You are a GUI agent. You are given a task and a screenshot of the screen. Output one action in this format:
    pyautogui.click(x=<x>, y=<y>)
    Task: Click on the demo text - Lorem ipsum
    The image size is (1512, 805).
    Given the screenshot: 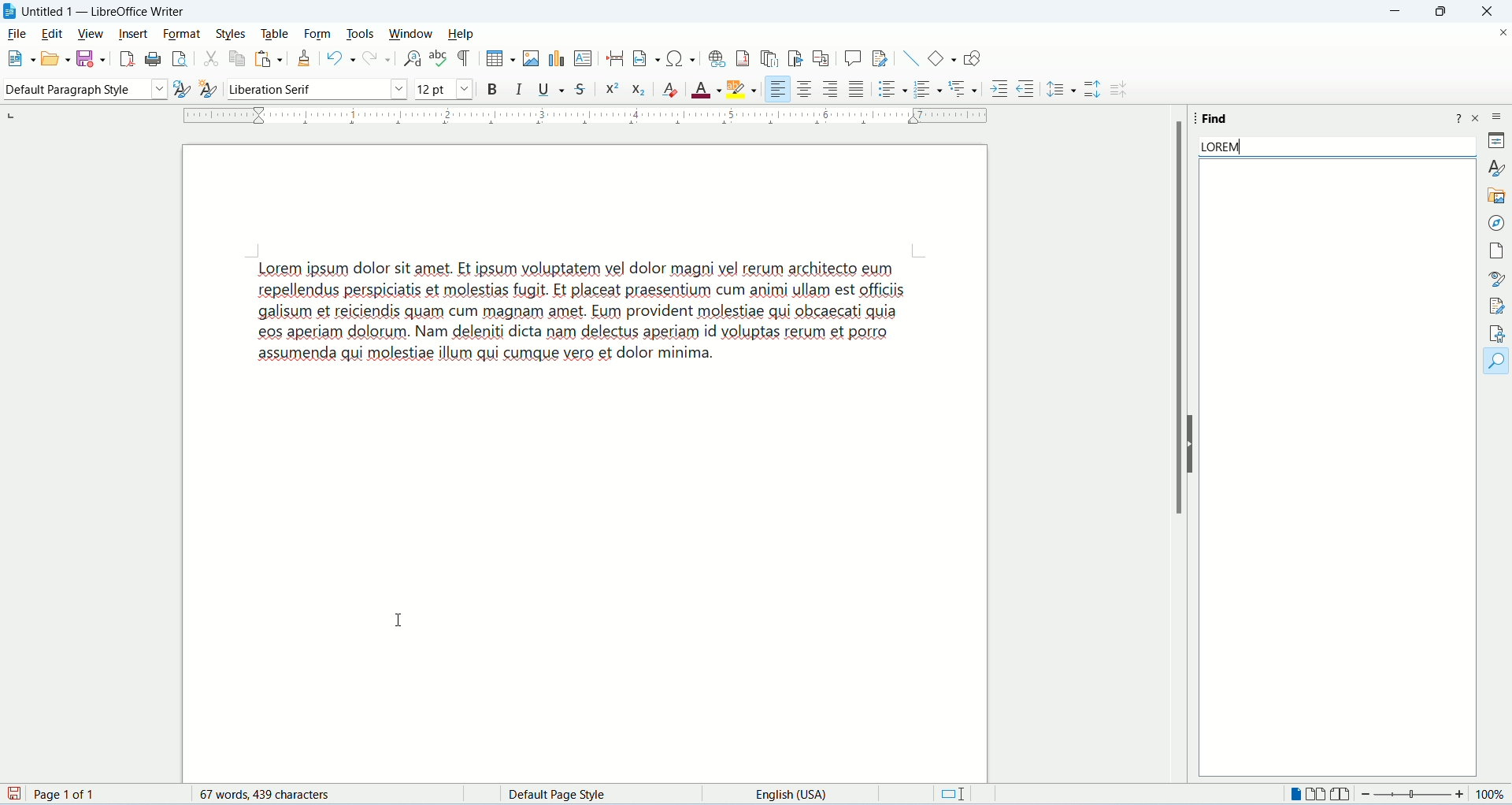 What is the action you would take?
    pyautogui.click(x=609, y=325)
    